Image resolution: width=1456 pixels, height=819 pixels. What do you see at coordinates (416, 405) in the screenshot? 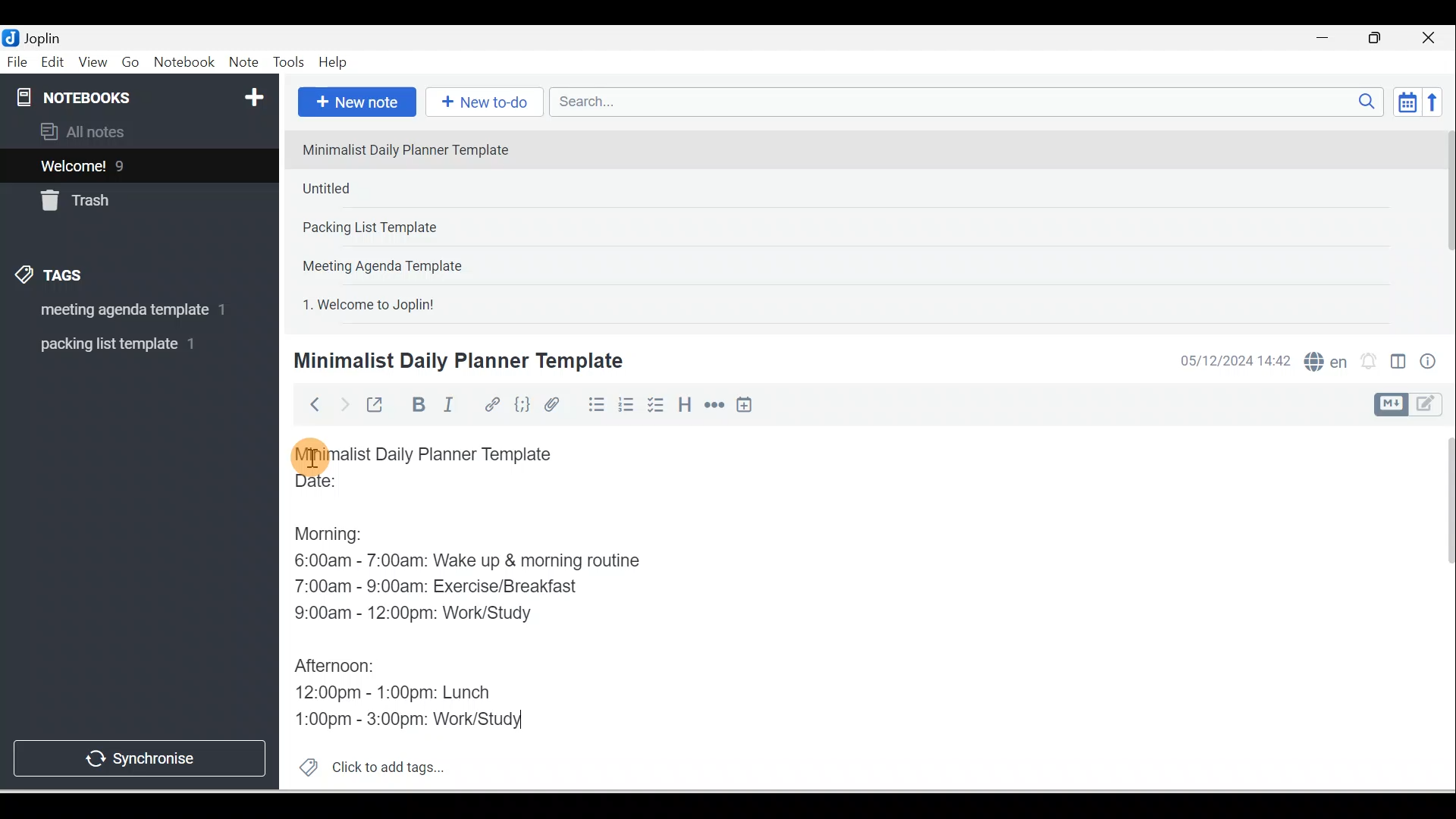
I see `Bold` at bounding box center [416, 405].